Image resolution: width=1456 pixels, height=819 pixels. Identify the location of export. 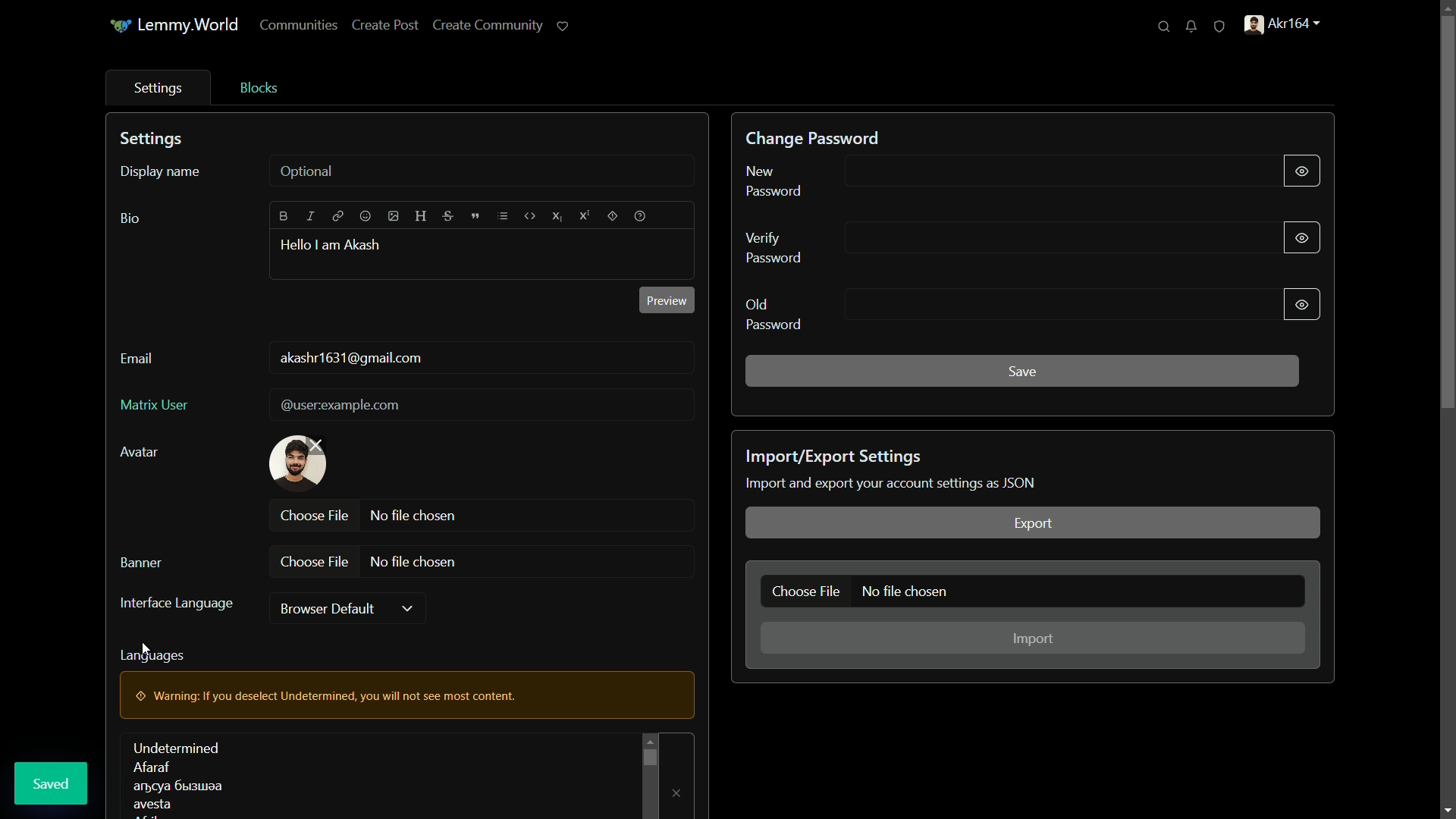
(1032, 522).